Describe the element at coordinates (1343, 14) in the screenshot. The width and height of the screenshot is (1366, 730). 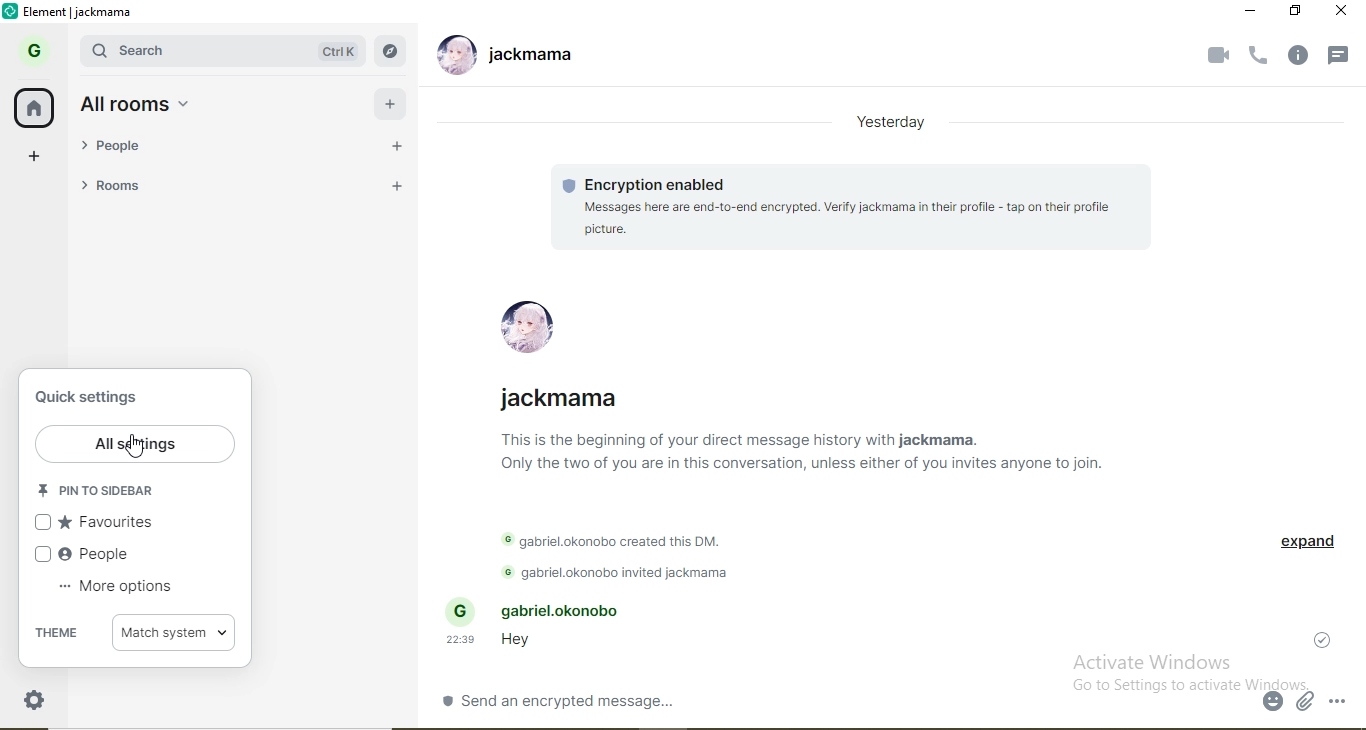
I see `close` at that location.